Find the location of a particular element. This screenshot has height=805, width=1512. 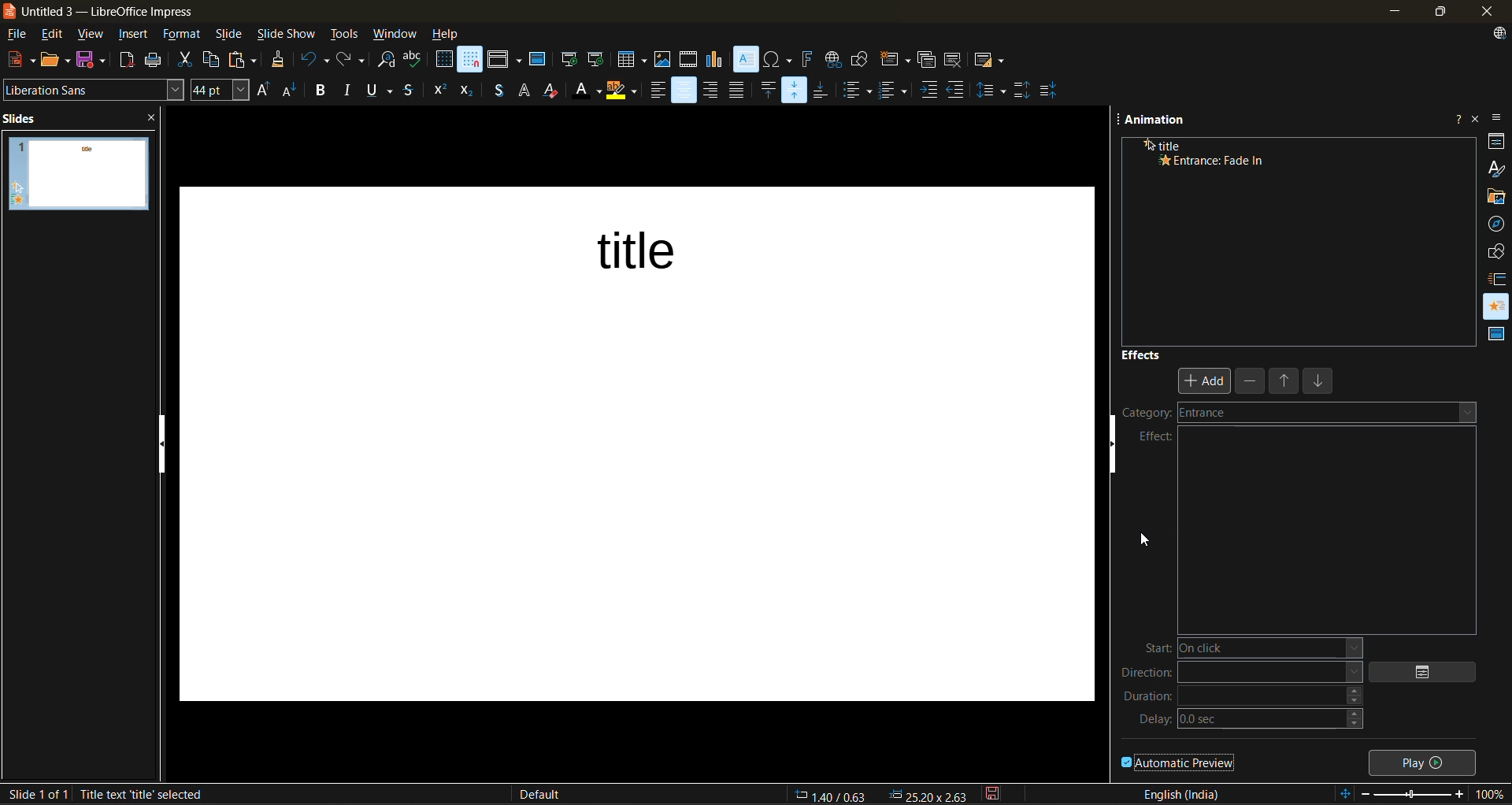

copy is located at coordinates (216, 60).